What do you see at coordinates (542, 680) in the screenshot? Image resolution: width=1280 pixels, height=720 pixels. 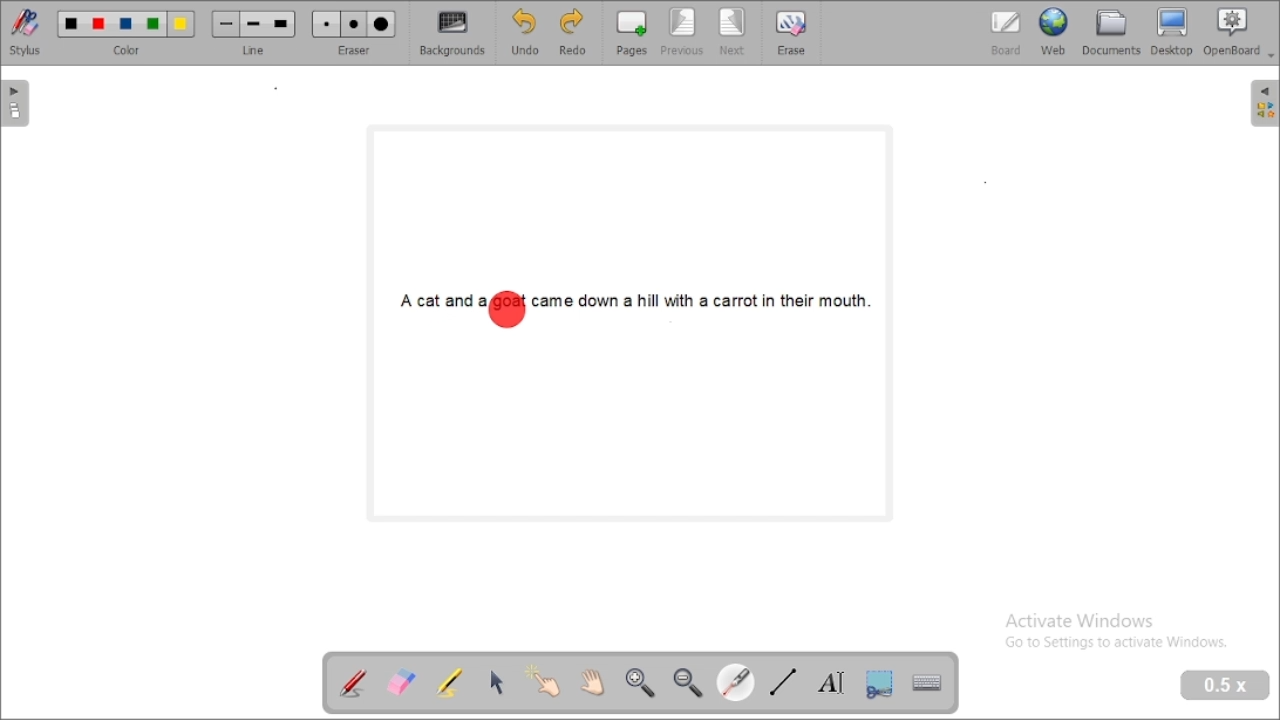 I see `interact with items` at bounding box center [542, 680].